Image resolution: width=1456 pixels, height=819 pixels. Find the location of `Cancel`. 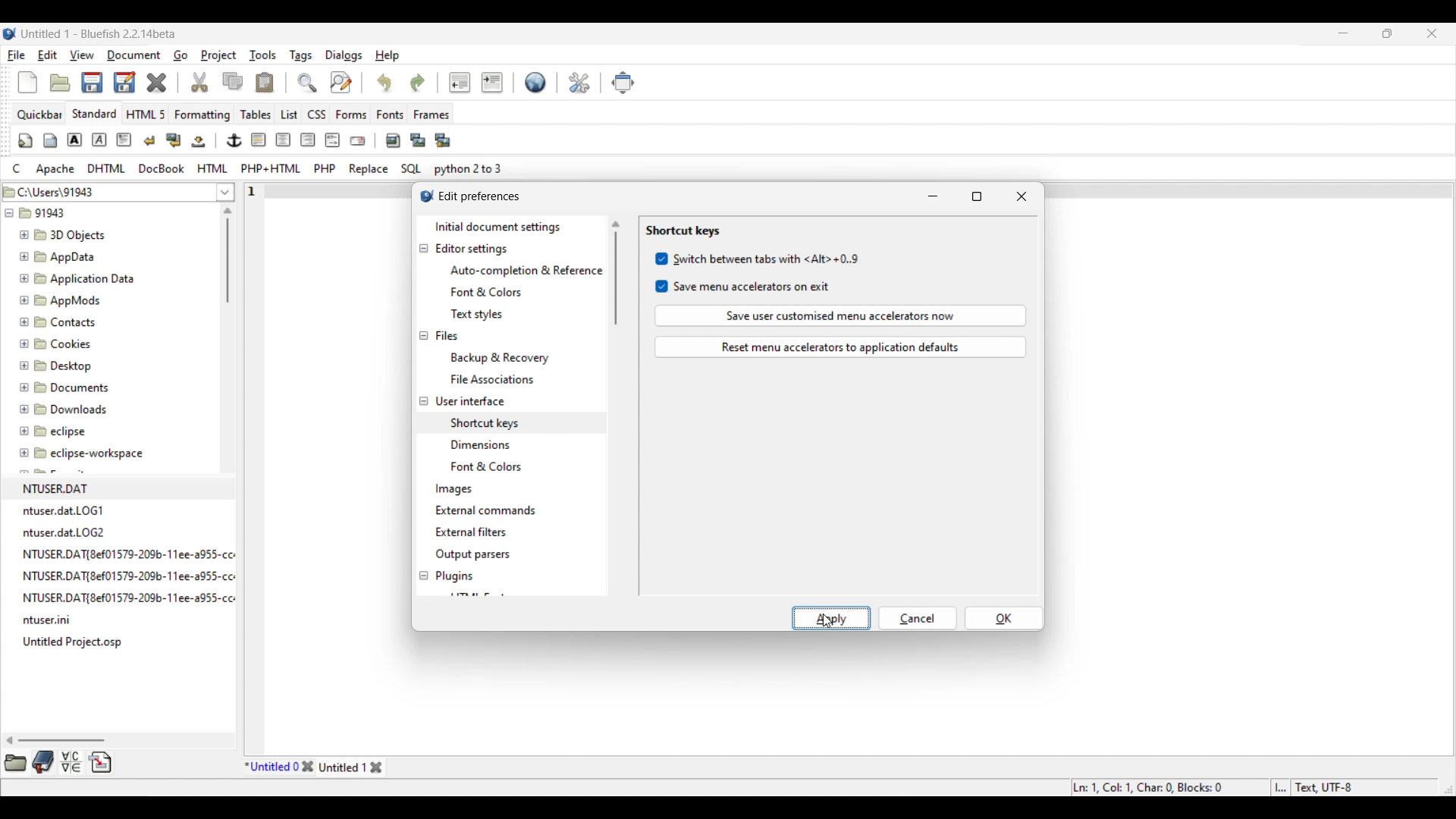

Cancel is located at coordinates (918, 618).